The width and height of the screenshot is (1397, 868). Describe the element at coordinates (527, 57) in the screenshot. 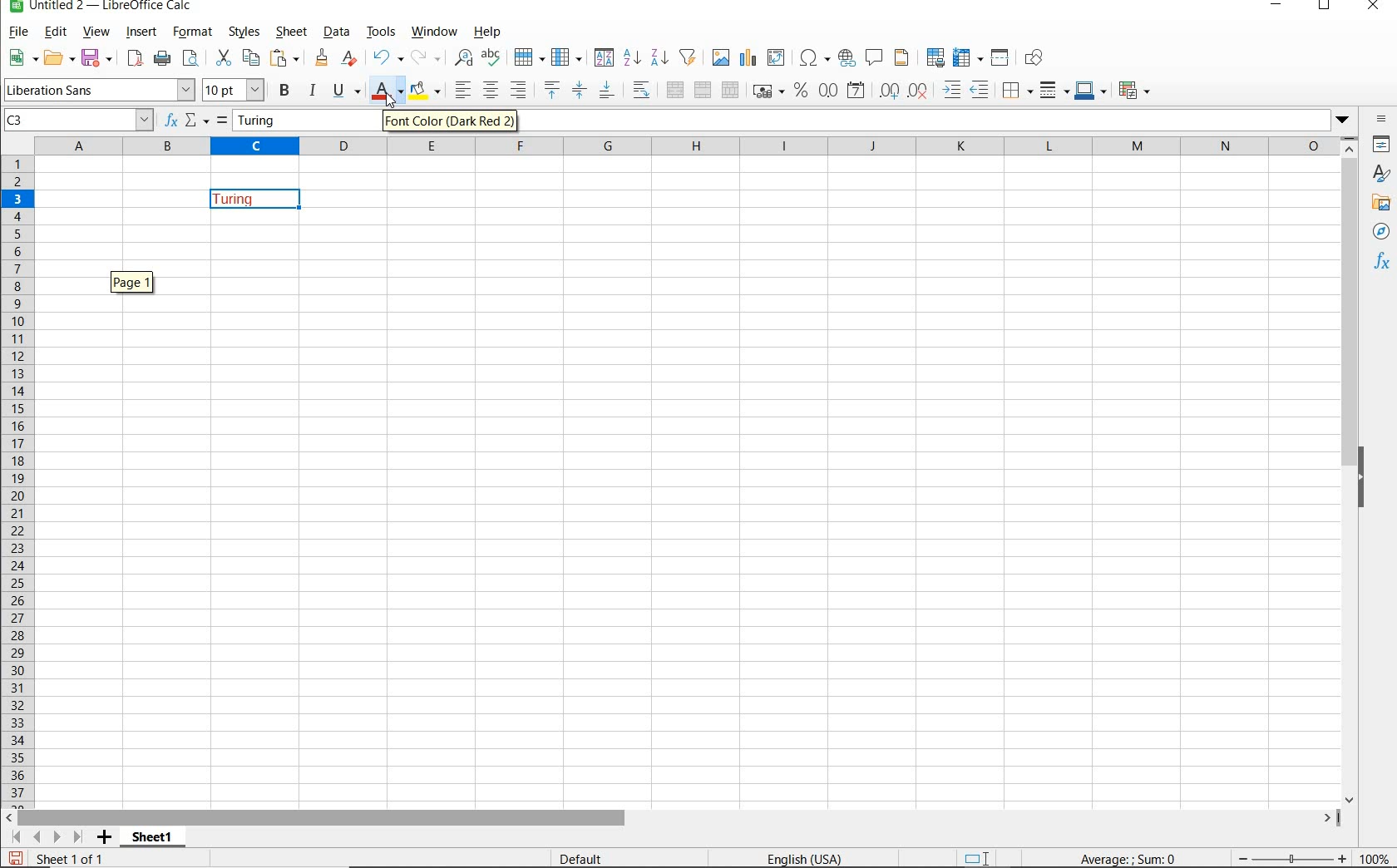

I see `ROW` at that location.